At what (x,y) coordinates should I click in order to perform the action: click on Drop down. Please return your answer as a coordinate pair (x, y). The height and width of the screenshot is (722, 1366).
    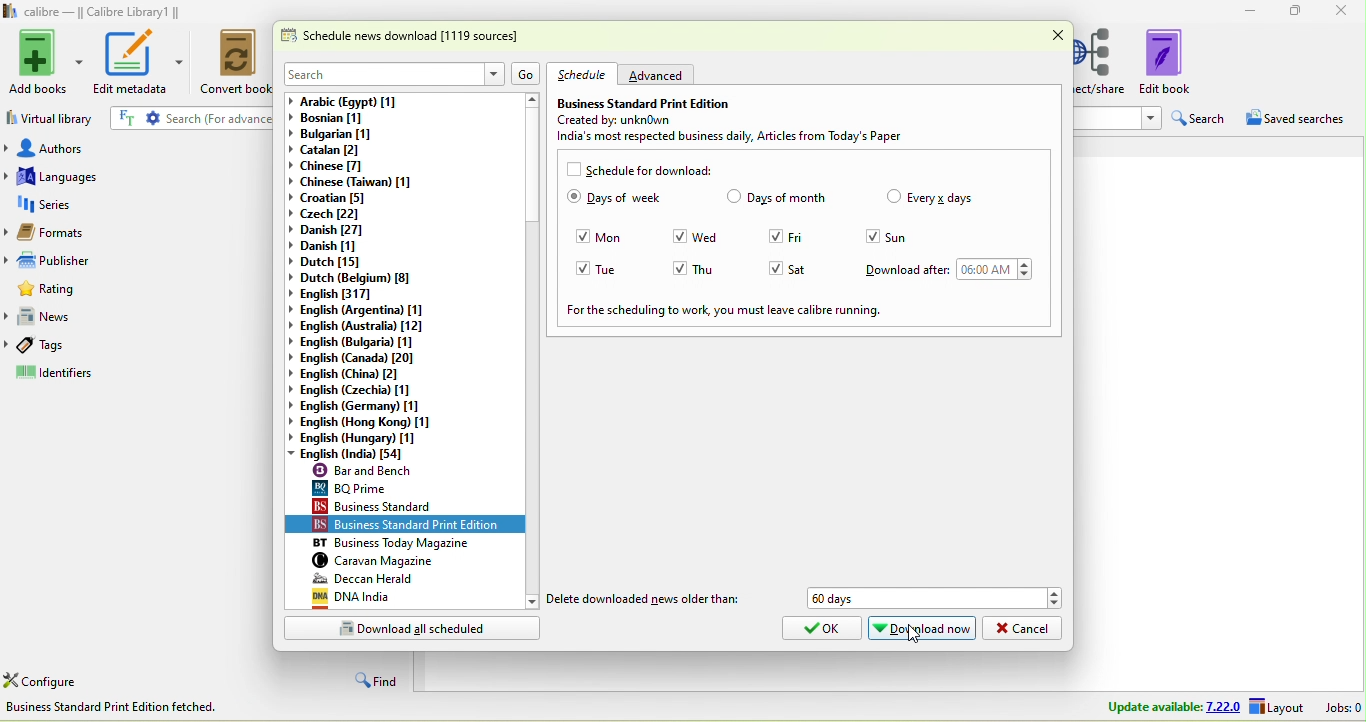
    Looking at the image, I should click on (491, 72).